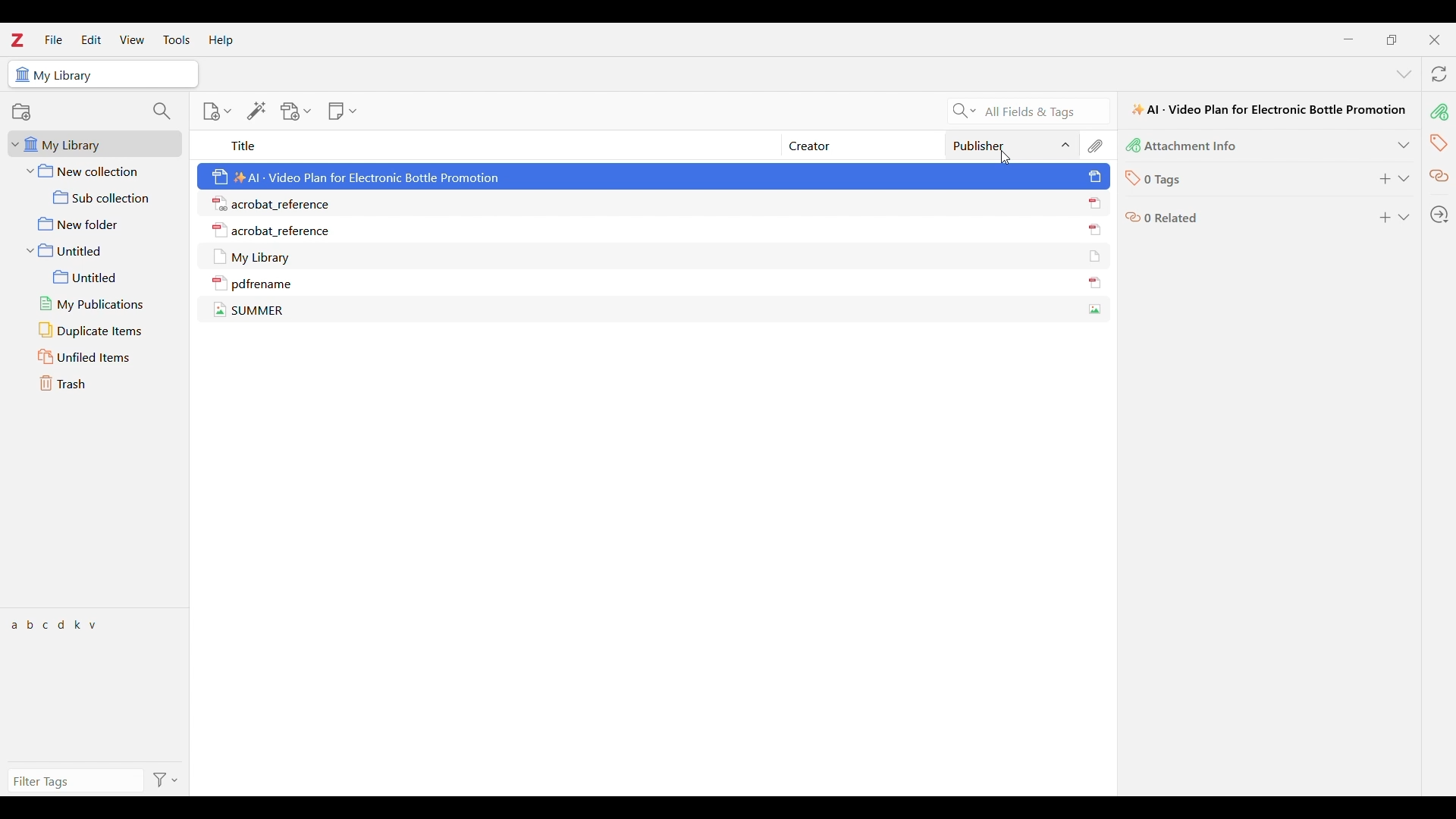  What do you see at coordinates (1351, 41) in the screenshot?
I see `Minimize` at bounding box center [1351, 41].